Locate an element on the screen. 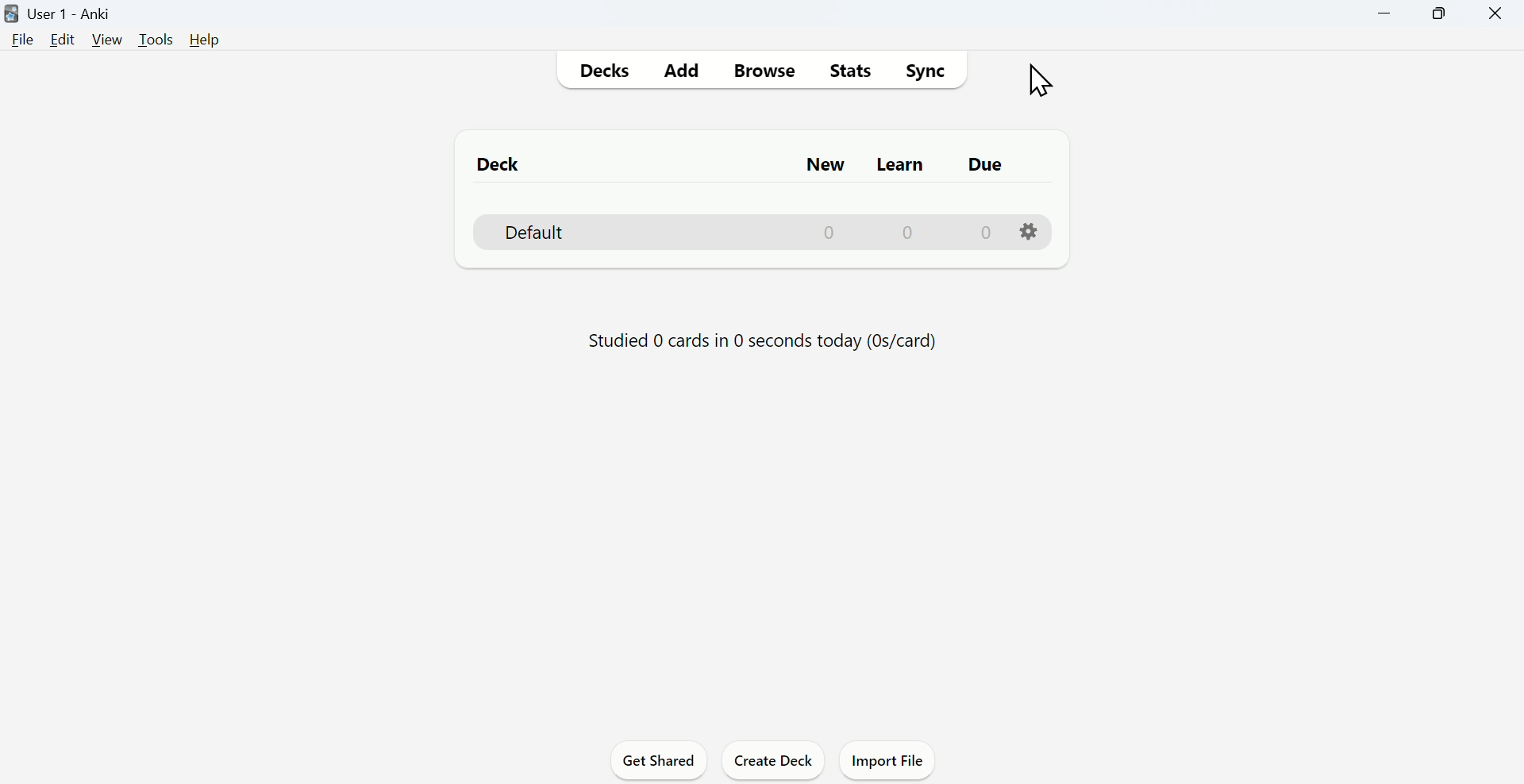  Decks is located at coordinates (601, 73).